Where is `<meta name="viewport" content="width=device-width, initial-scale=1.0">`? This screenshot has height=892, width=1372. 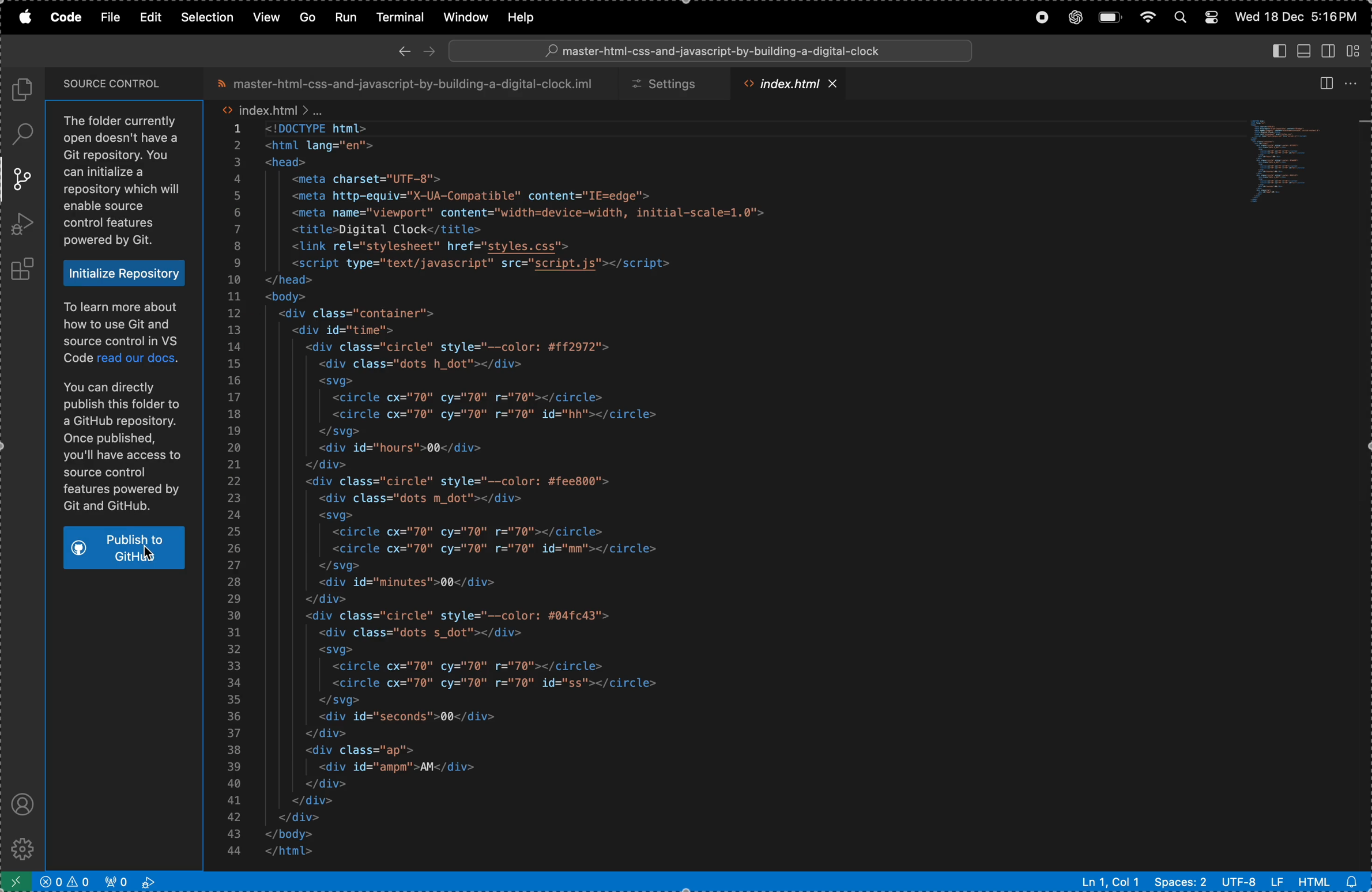
<meta name="viewport" content="width=device-width, initial-scale=1.0"> is located at coordinates (534, 213).